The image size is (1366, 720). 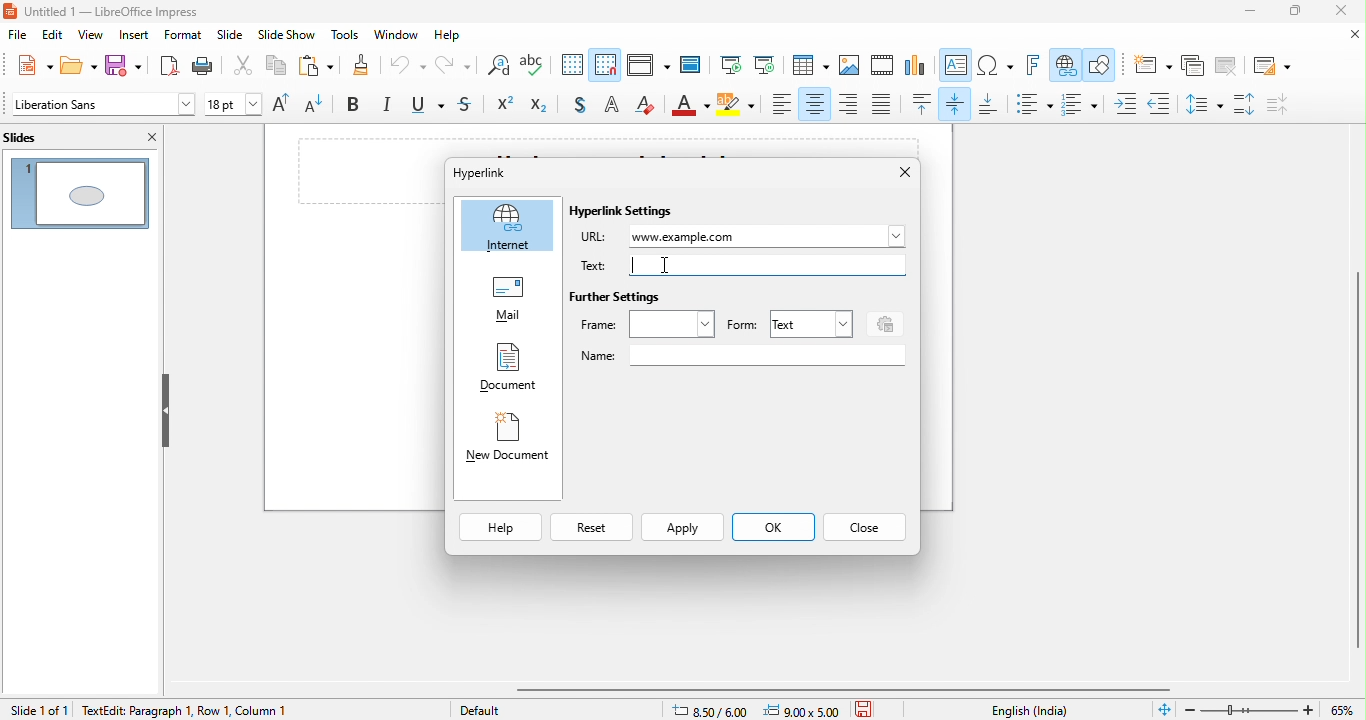 What do you see at coordinates (635, 264) in the screenshot?
I see `typing cursor` at bounding box center [635, 264].